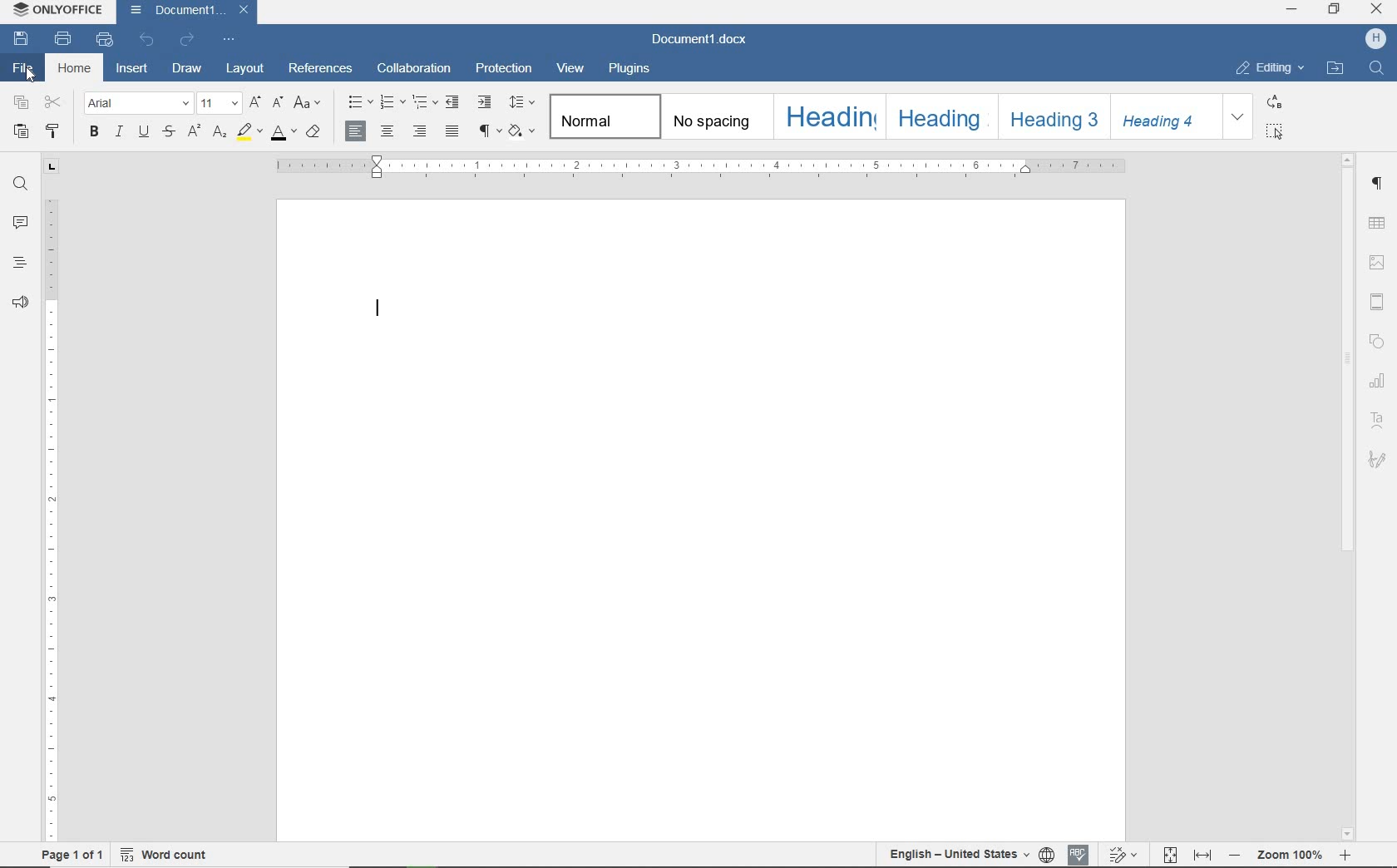 The image size is (1397, 868). I want to click on cursor, so click(31, 76).